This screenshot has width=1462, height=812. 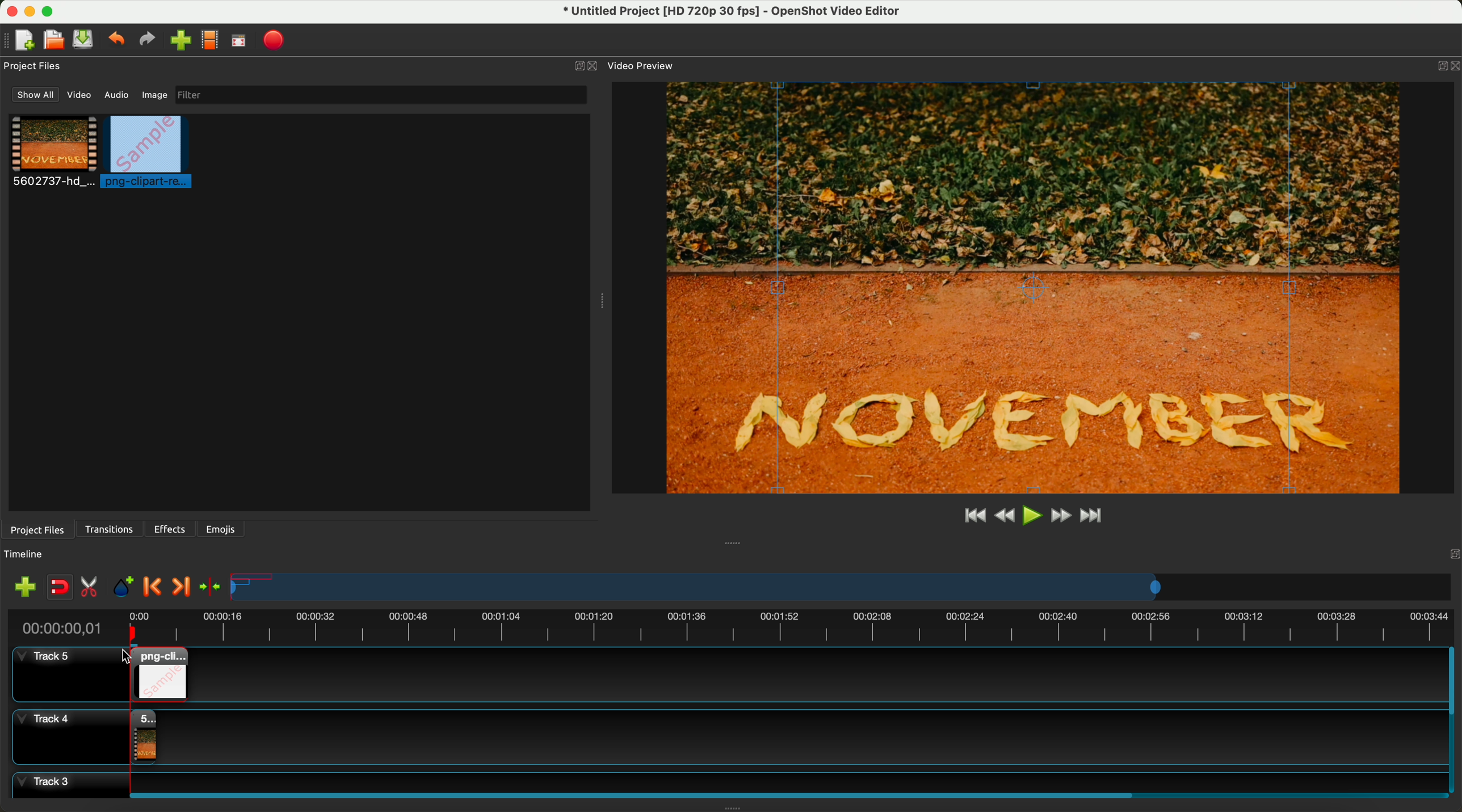 What do you see at coordinates (150, 41) in the screenshot?
I see `redo` at bounding box center [150, 41].